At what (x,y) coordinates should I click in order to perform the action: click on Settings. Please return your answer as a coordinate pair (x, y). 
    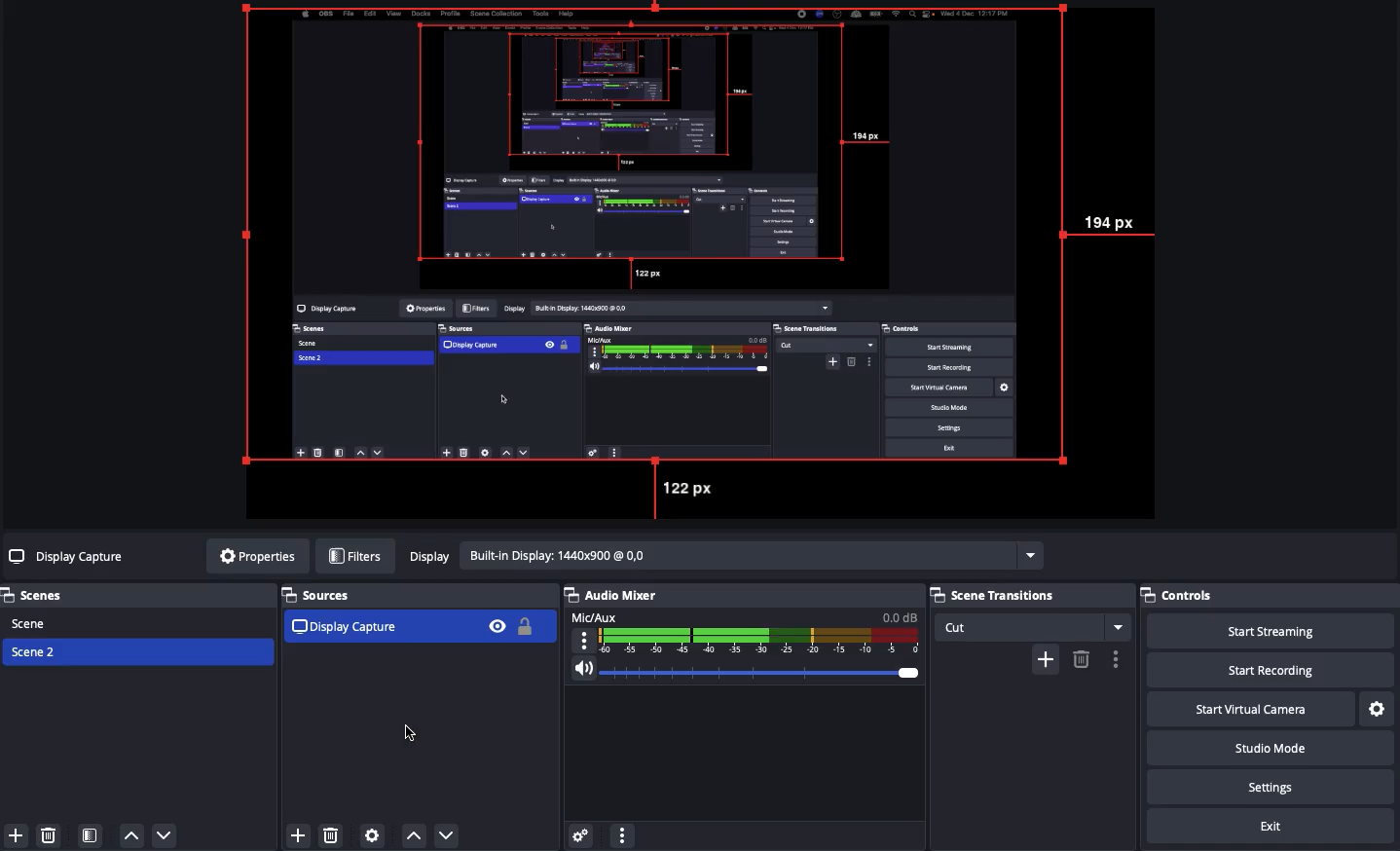
    Looking at the image, I should click on (1269, 786).